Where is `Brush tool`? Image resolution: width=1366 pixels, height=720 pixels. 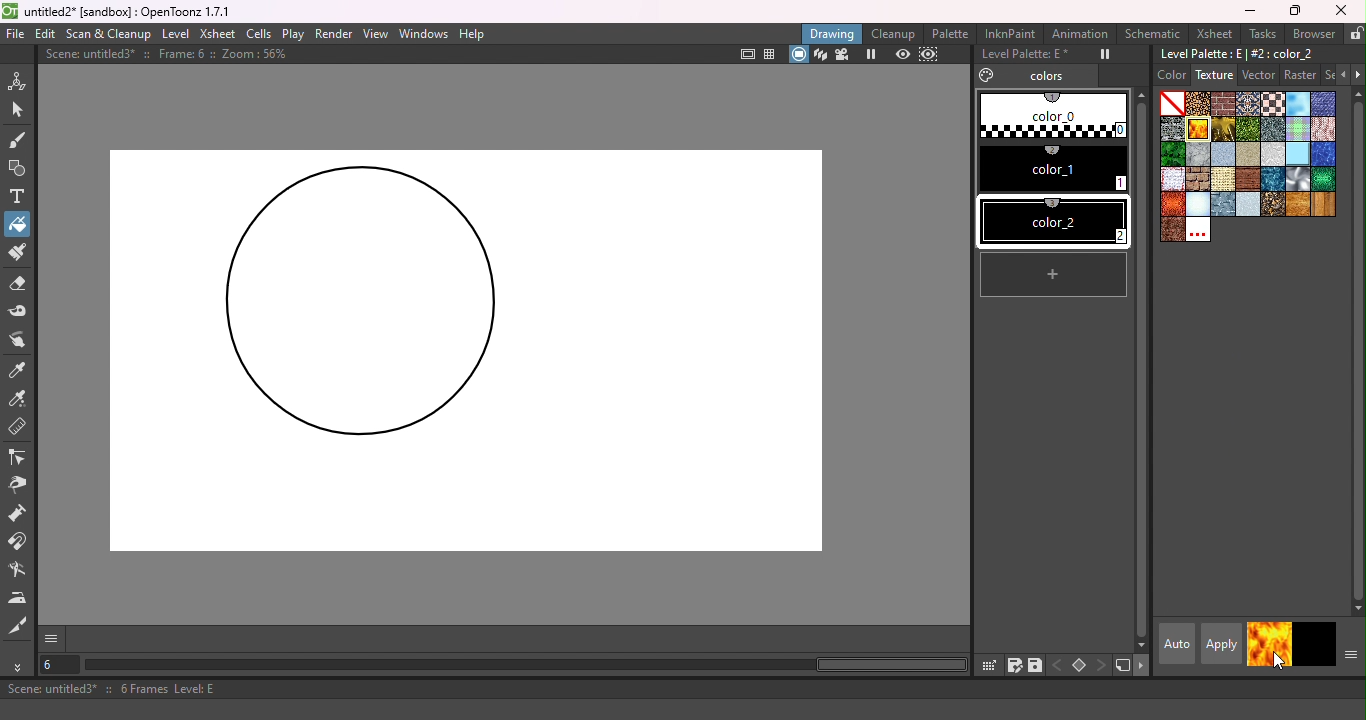
Brush tool is located at coordinates (19, 140).